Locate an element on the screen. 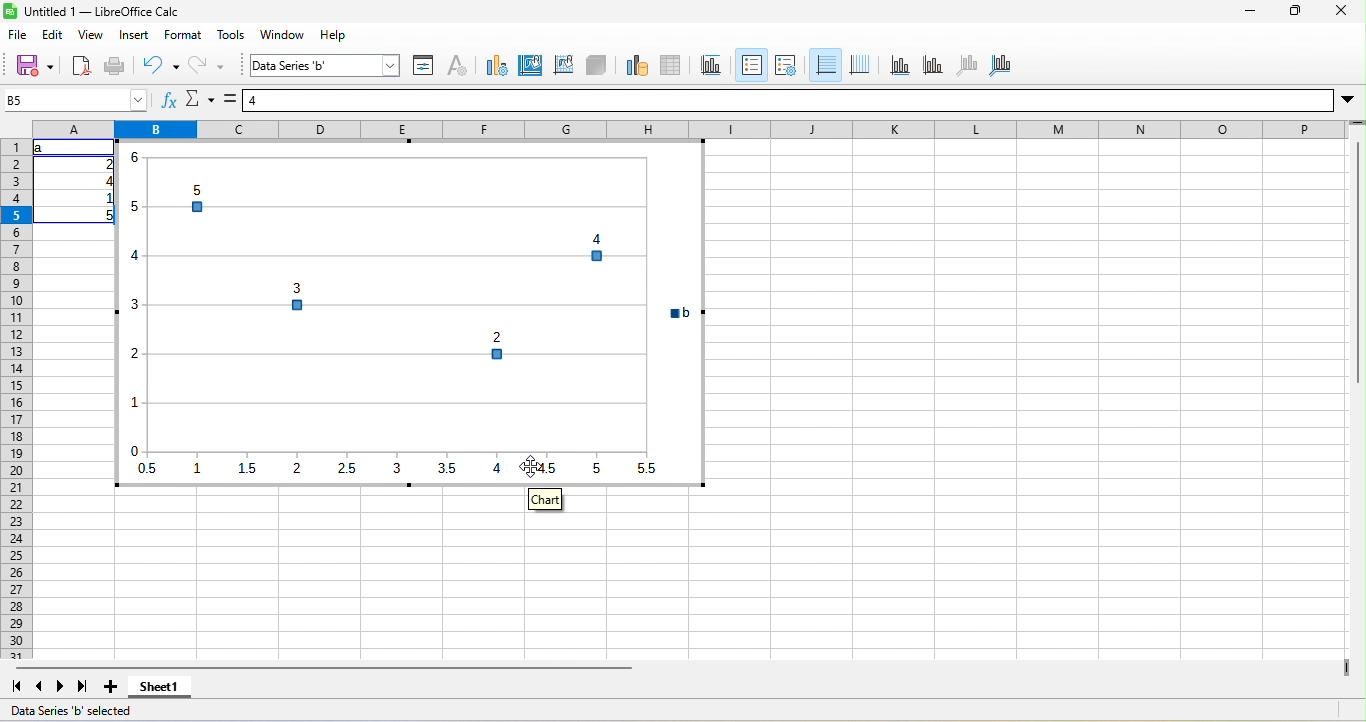 Image resolution: width=1366 pixels, height=722 pixels. maximize is located at coordinates (1295, 10).